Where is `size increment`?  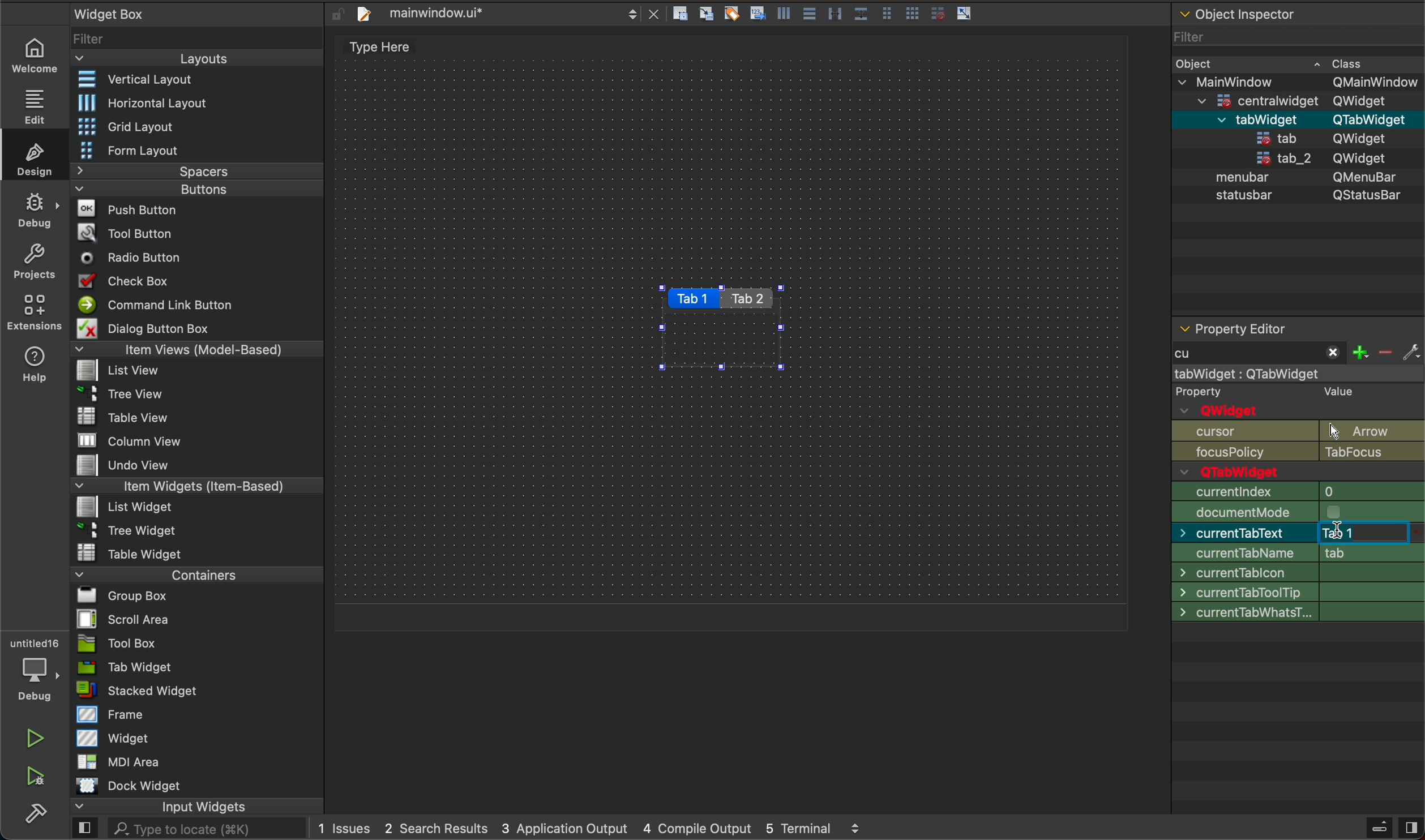 size increment is located at coordinates (1298, 571).